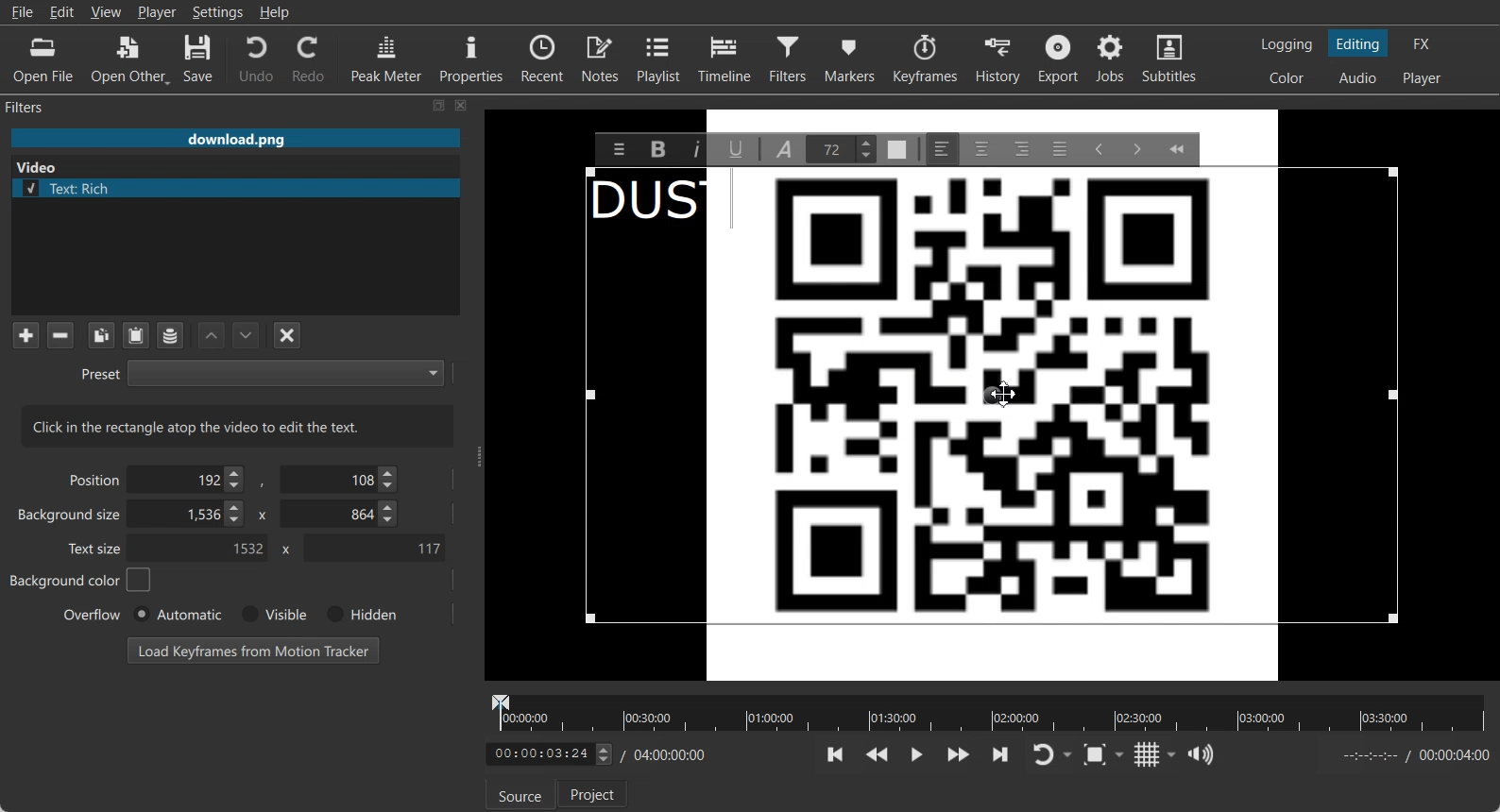 This screenshot has height=812, width=1500. Describe the element at coordinates (1172, 754) in the screenshot. I see `Drop down box` at that location.